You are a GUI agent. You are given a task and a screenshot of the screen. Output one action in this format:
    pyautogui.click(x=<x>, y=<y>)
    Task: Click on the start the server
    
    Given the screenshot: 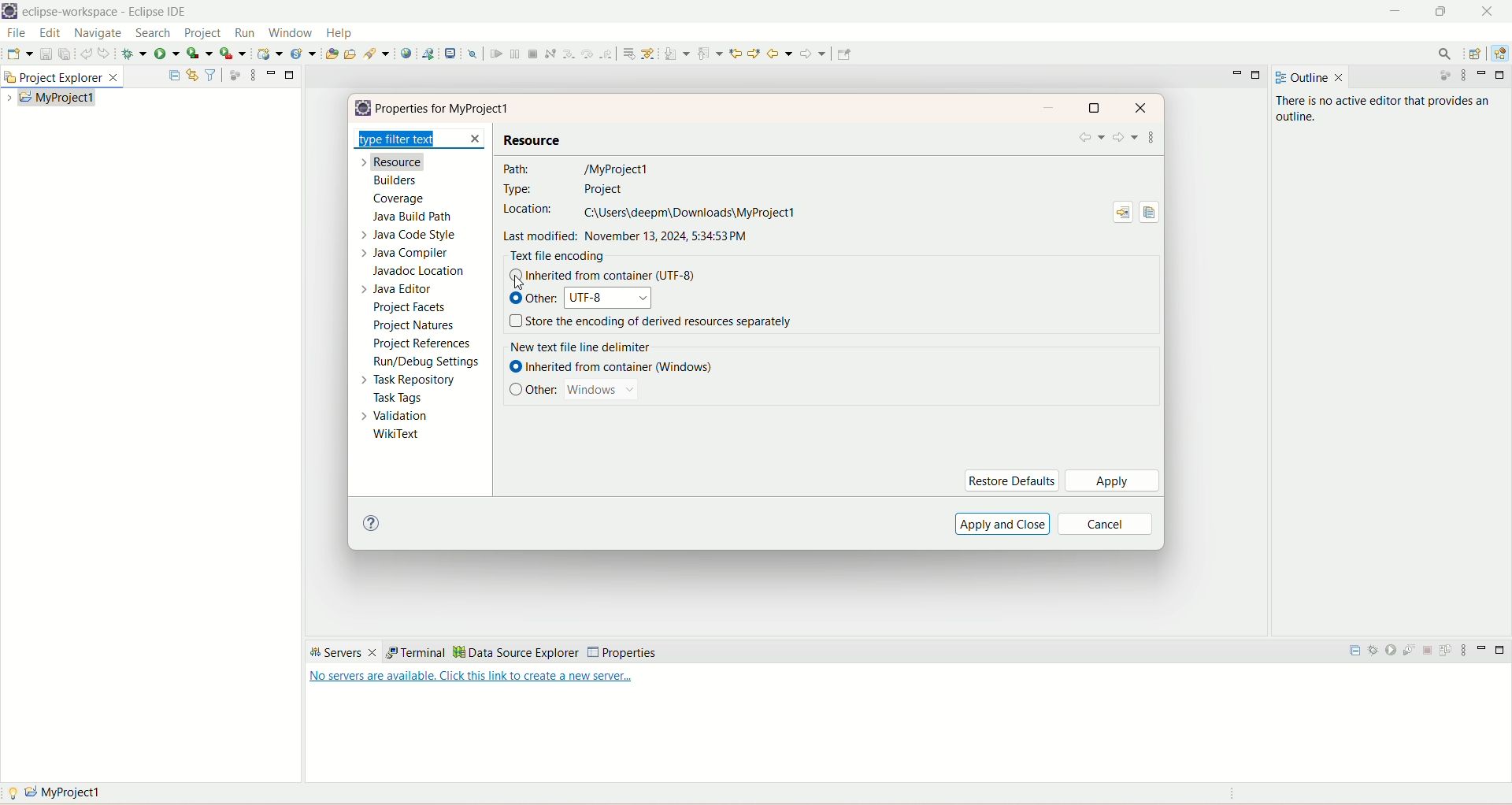 What is the action you would take?
    pyautogui.click(x=1393, y=653)
    